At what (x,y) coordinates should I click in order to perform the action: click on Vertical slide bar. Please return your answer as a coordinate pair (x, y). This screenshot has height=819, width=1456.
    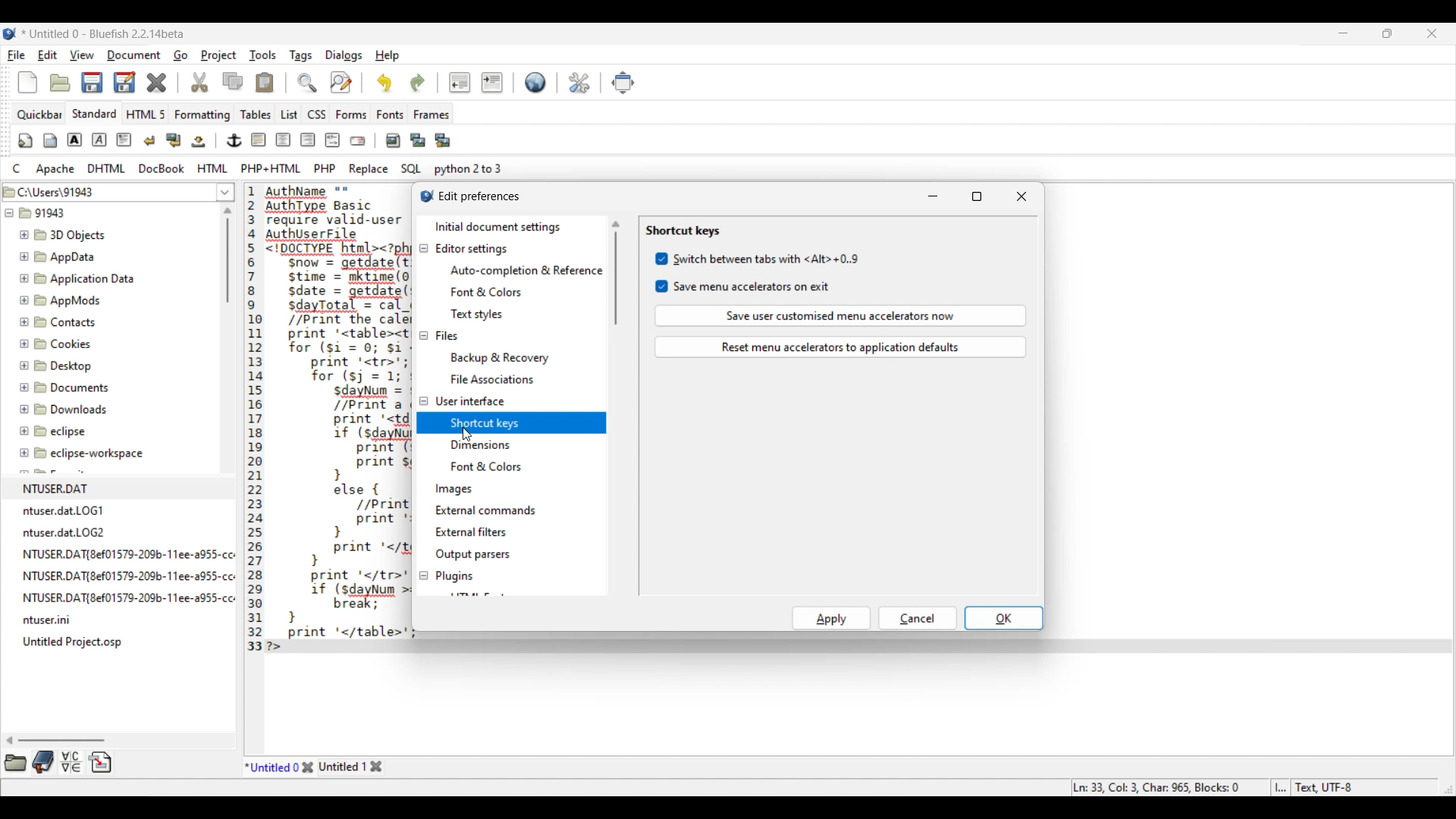
    Looking at the image, I should click on (616, 273).